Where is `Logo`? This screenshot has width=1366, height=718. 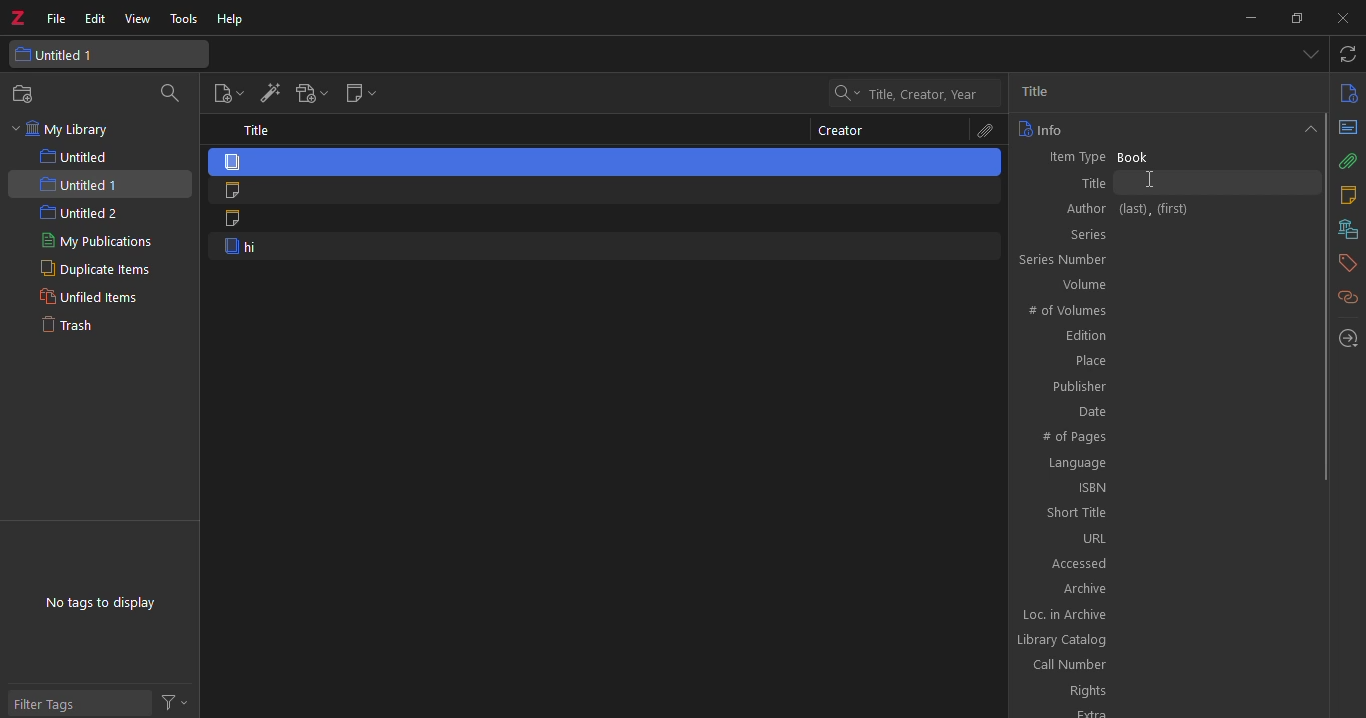 Logo is located at coordinates (17, 14).